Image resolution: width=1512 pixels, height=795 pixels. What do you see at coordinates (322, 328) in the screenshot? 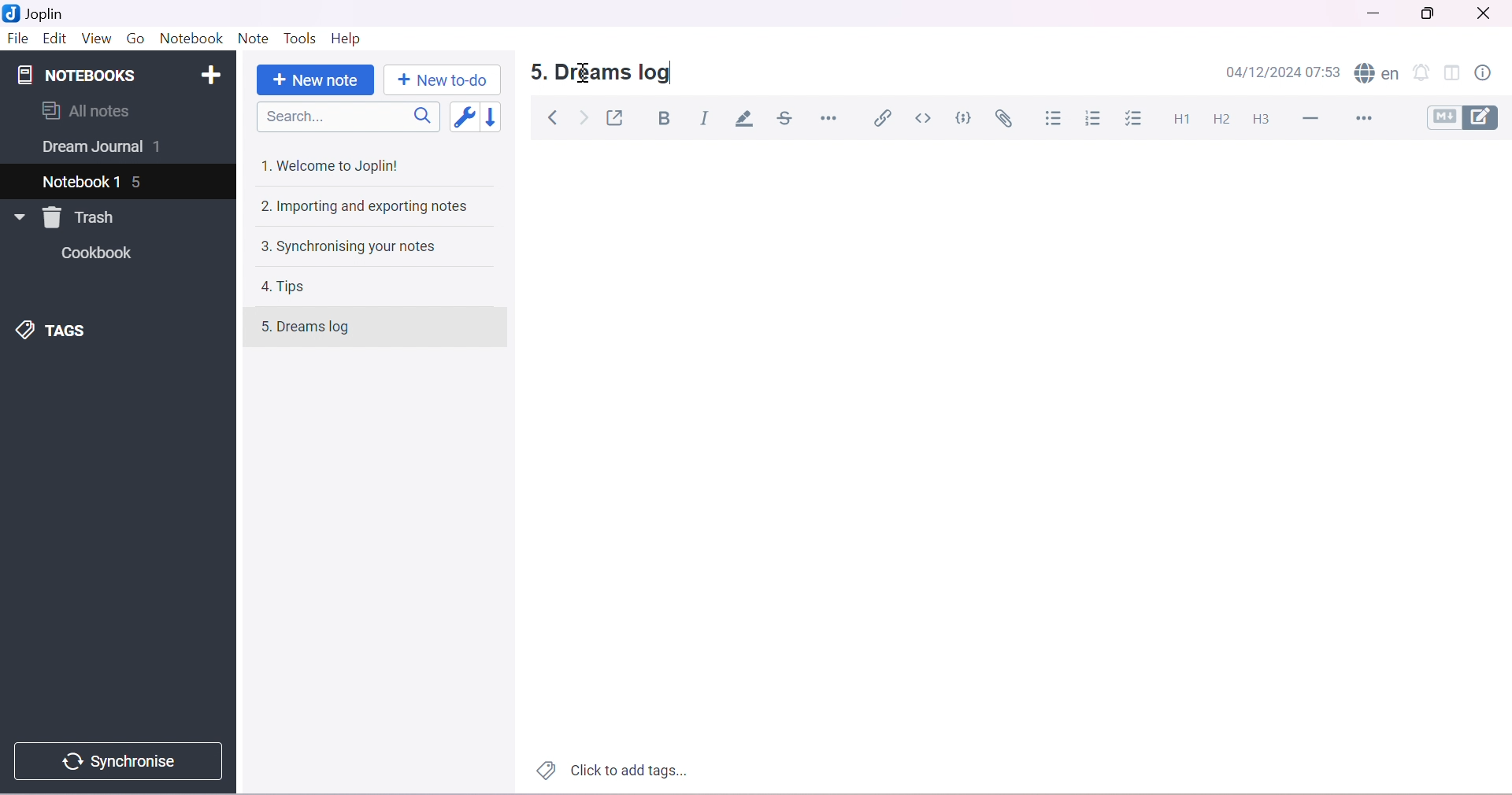
I see `Dreams log` at bounding box center [322, 328].